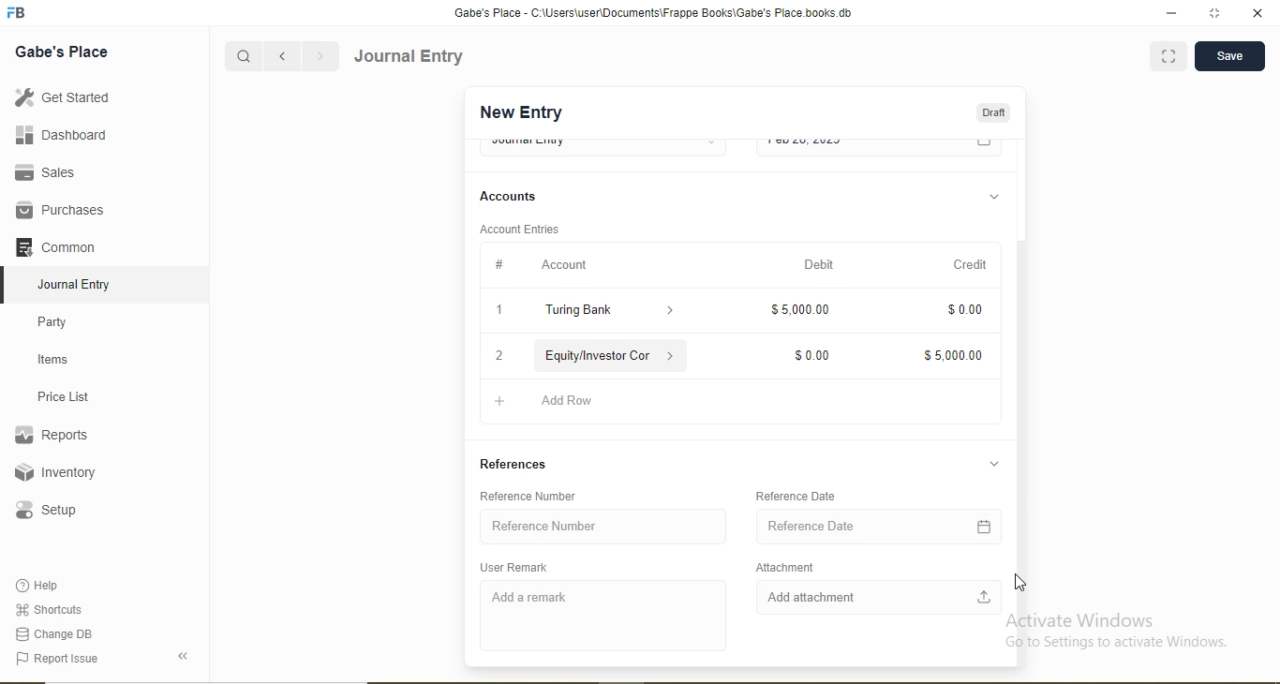 This screenshot has width=1280, height=684. What do you see at coordinates (952, 356) in the screenshot?
I see `$5,000.00` at bounding box center [952, 356].